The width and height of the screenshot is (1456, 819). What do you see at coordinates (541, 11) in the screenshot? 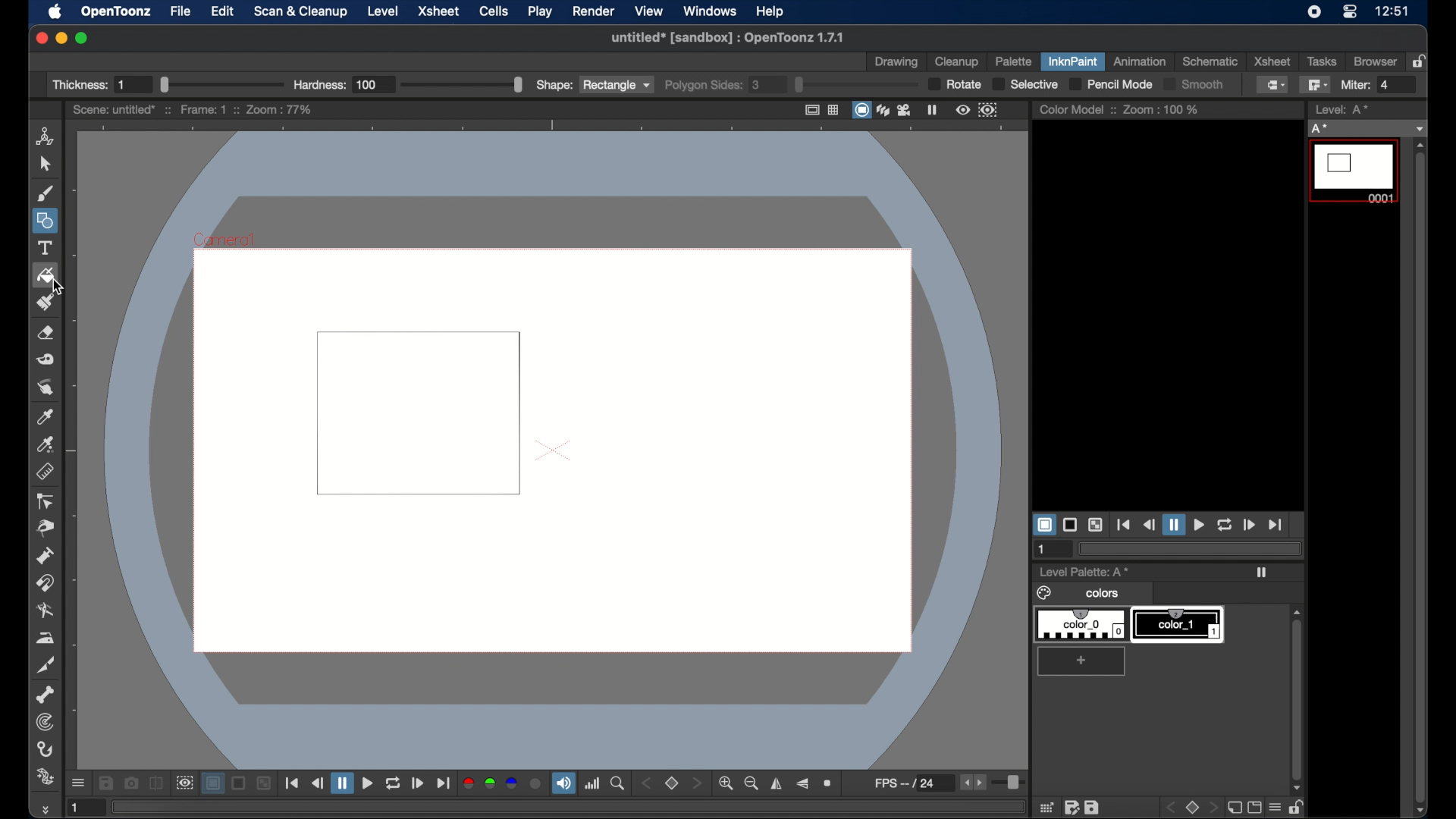
I see `play` at bounding box center [541, 11].